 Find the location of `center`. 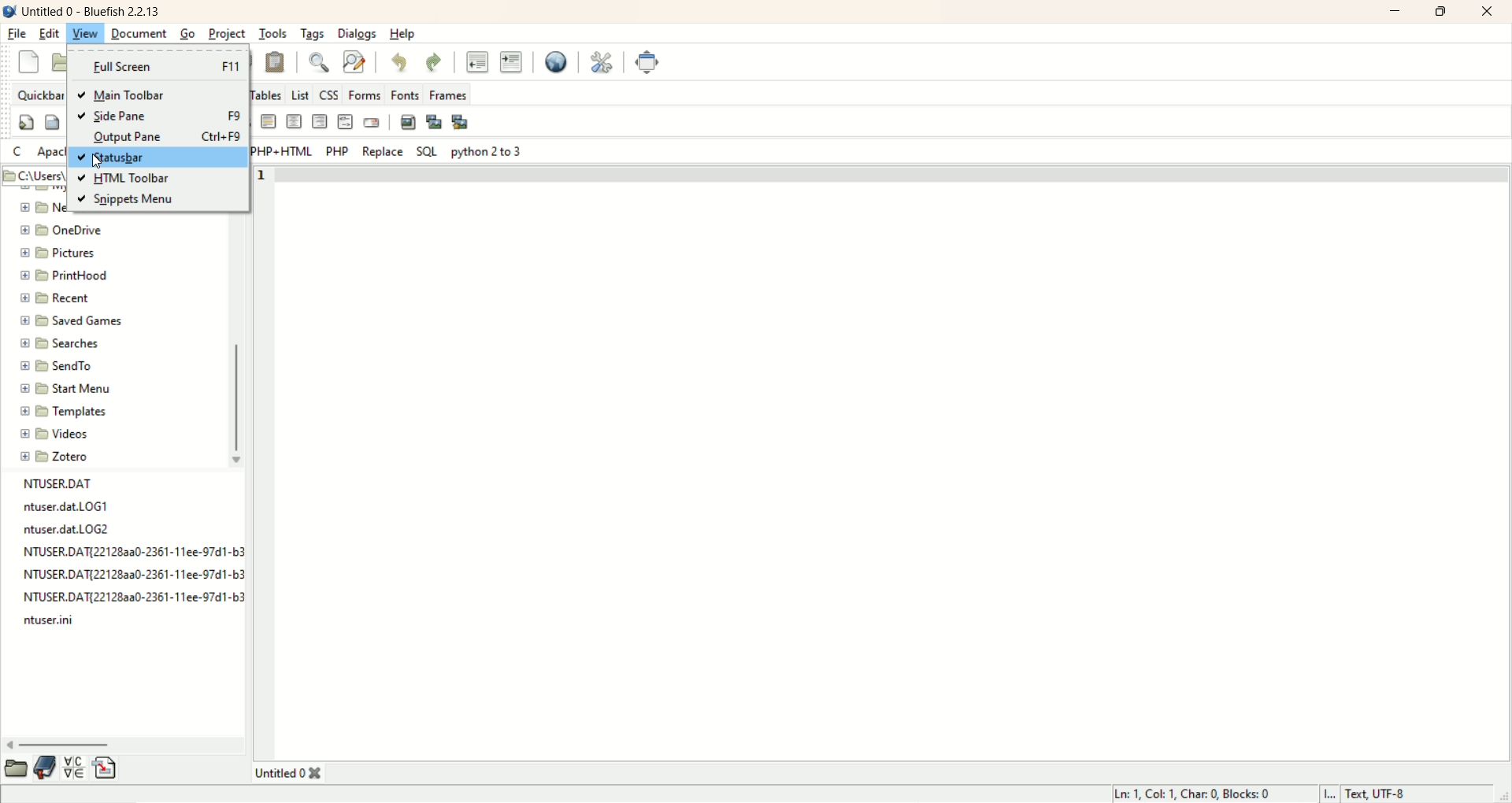

center is located at coordinates (292, 120).